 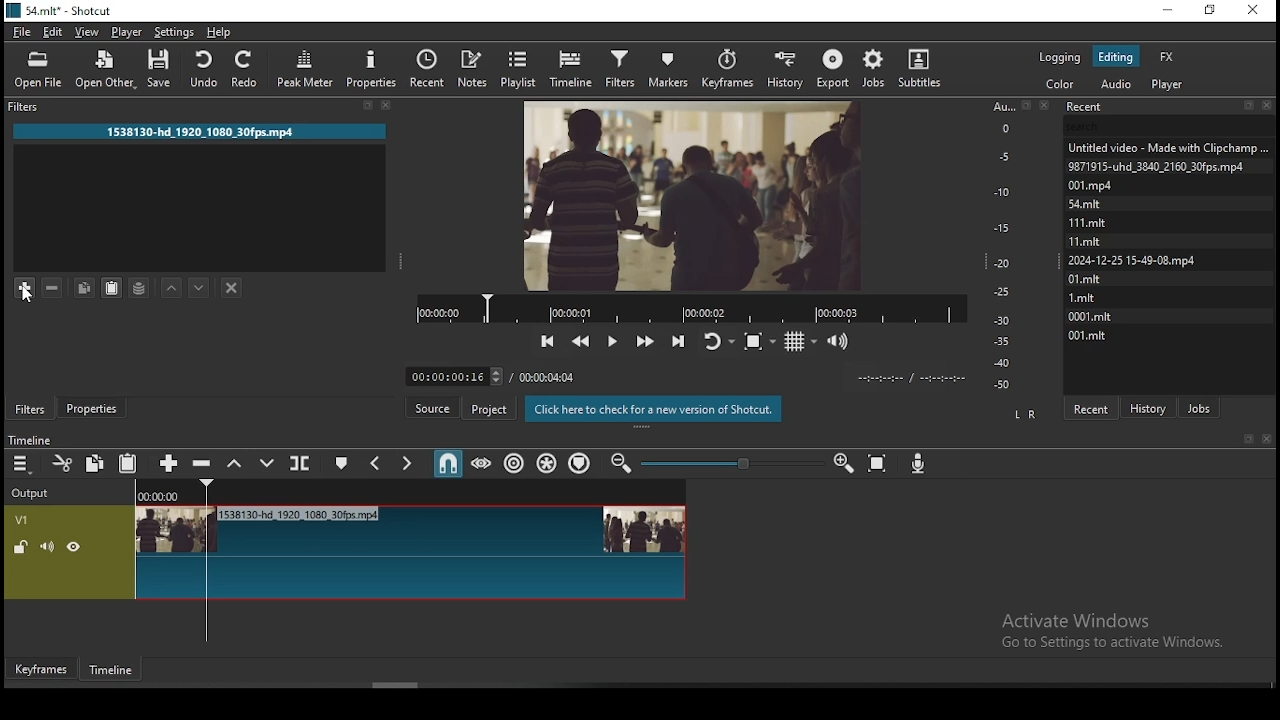 I want to click on create/edit marker, so click(x=343, y=464).